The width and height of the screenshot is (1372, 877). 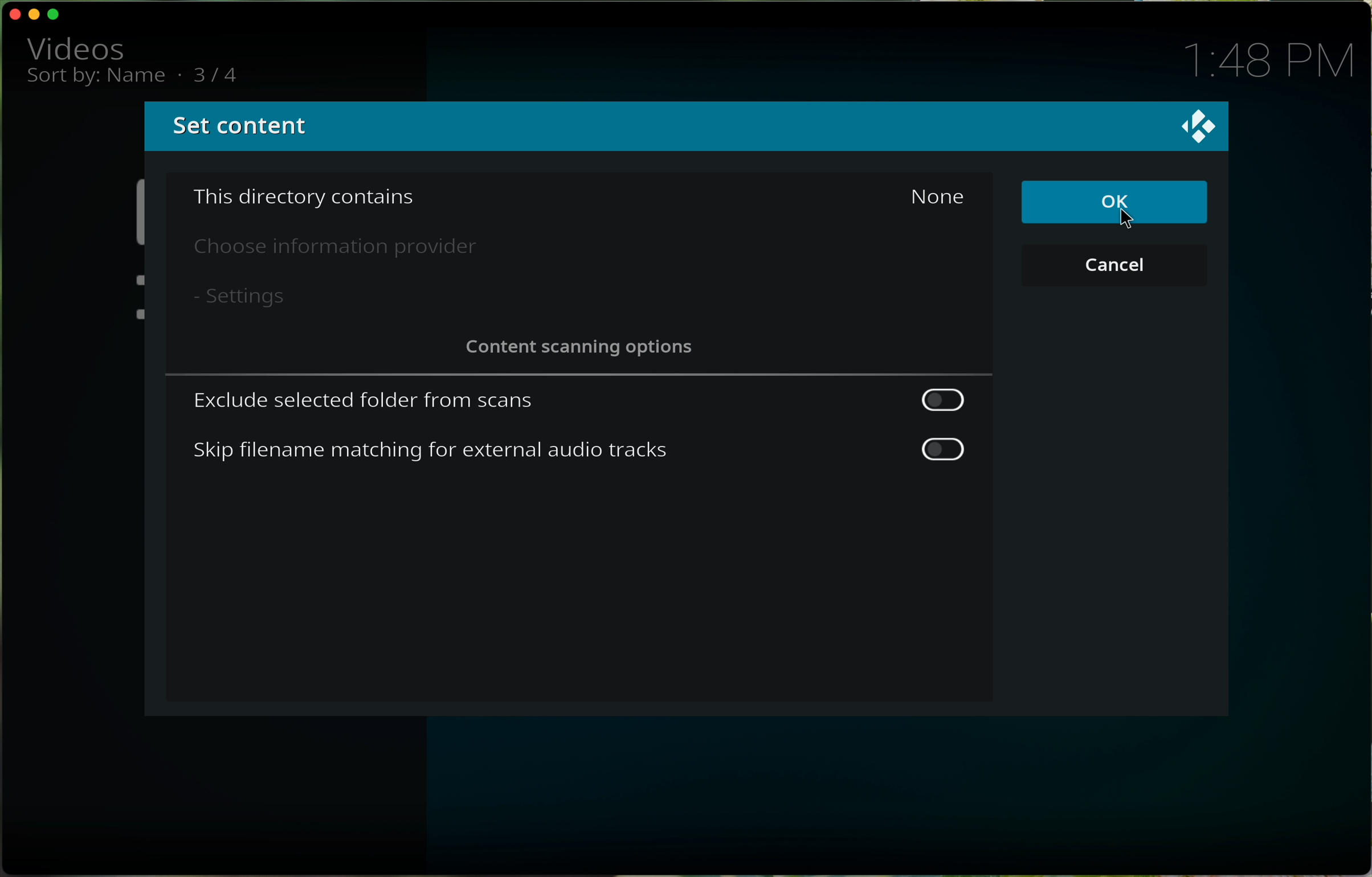 What do you see at coordinates (179, 74) in the screenshot?
I see `.` at bounding box center [179, 74].